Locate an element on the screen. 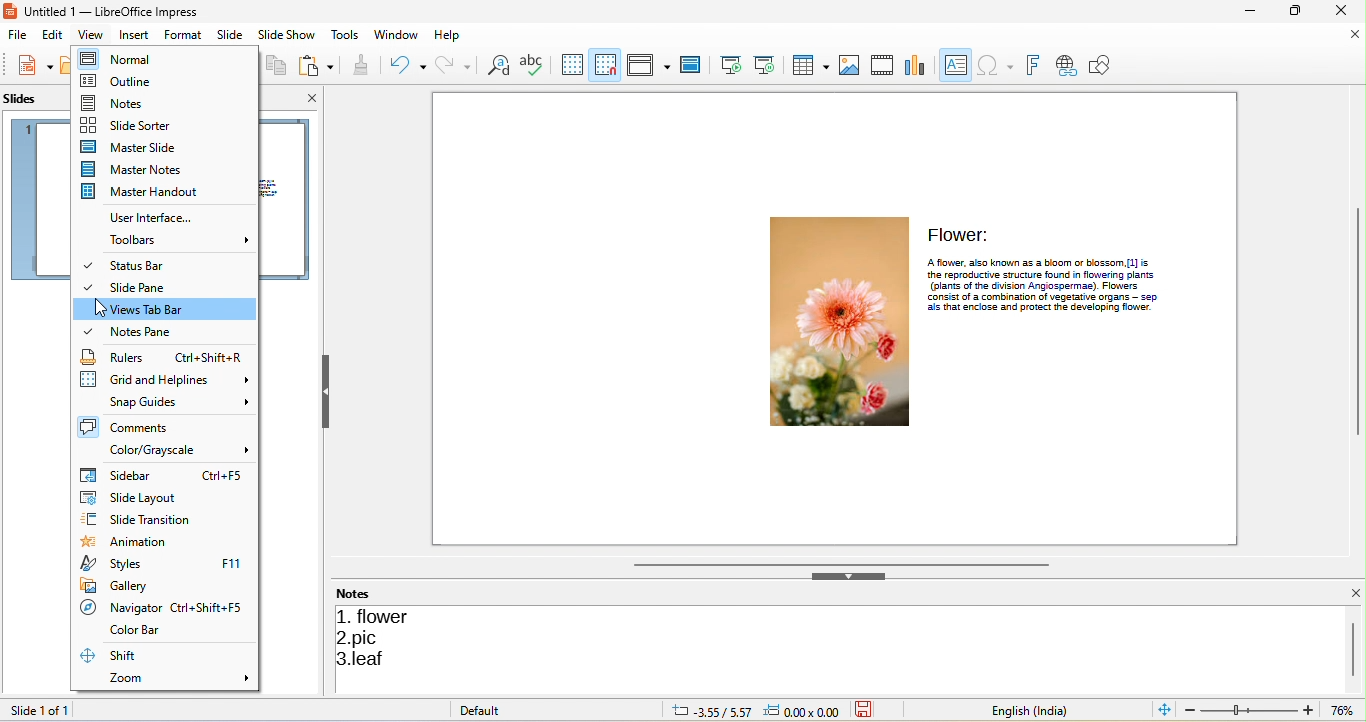 This screenshot has height=722, width=1366. 0.00x0.00 is located at coordinates (805, 711).